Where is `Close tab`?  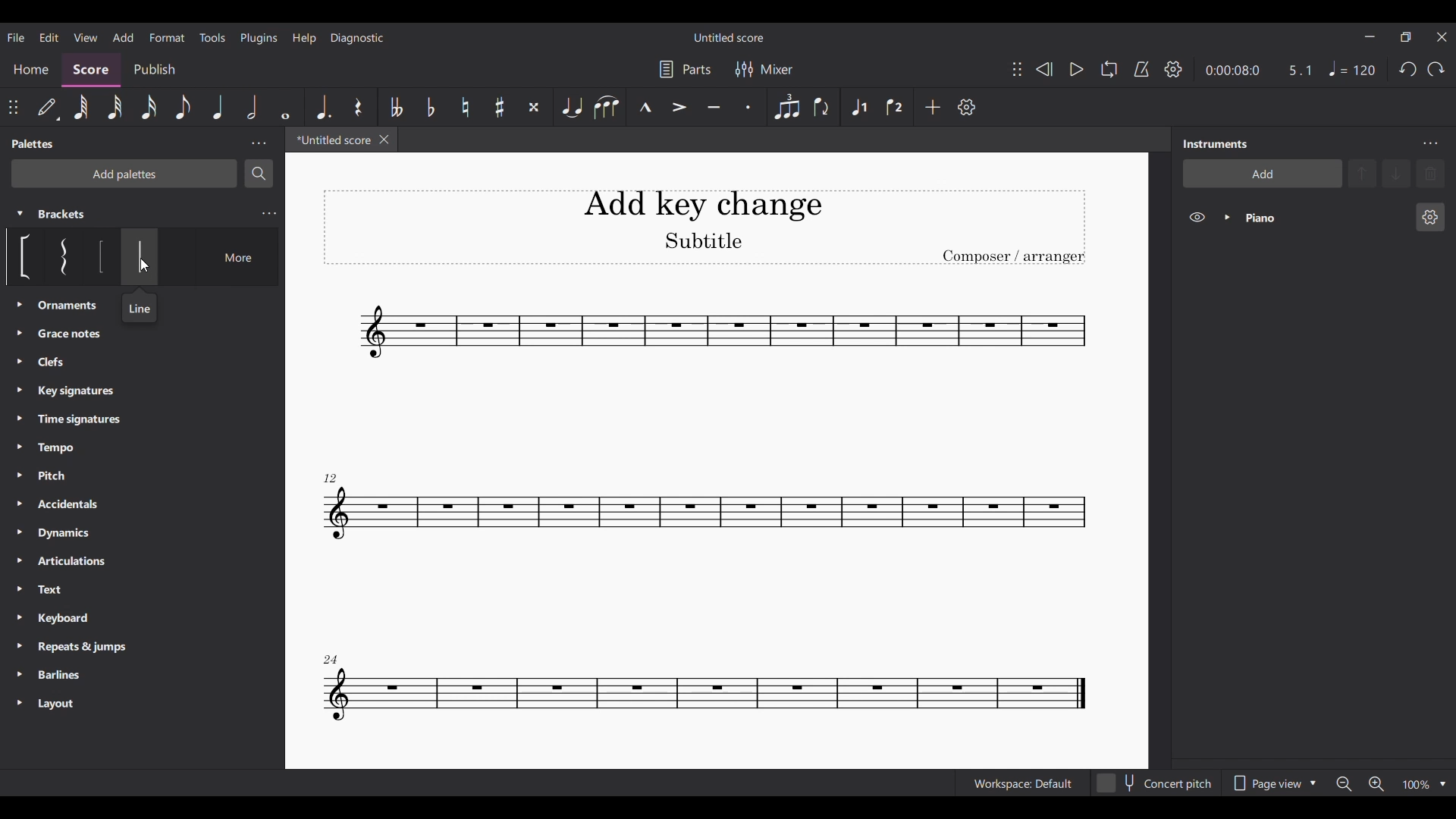 Close tab is located at coordinates (384, 140).